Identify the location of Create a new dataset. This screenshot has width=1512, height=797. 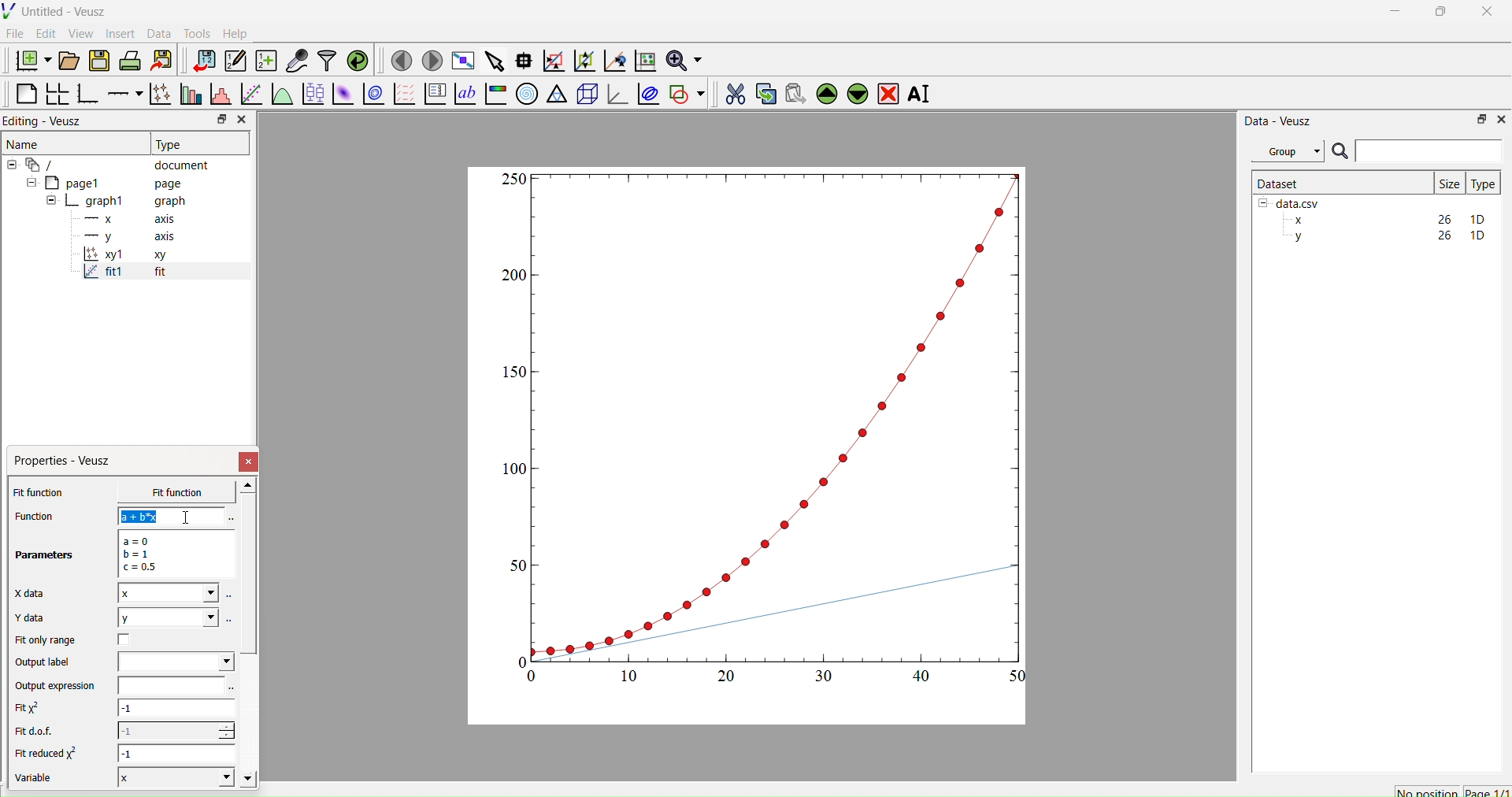
(265, 61).